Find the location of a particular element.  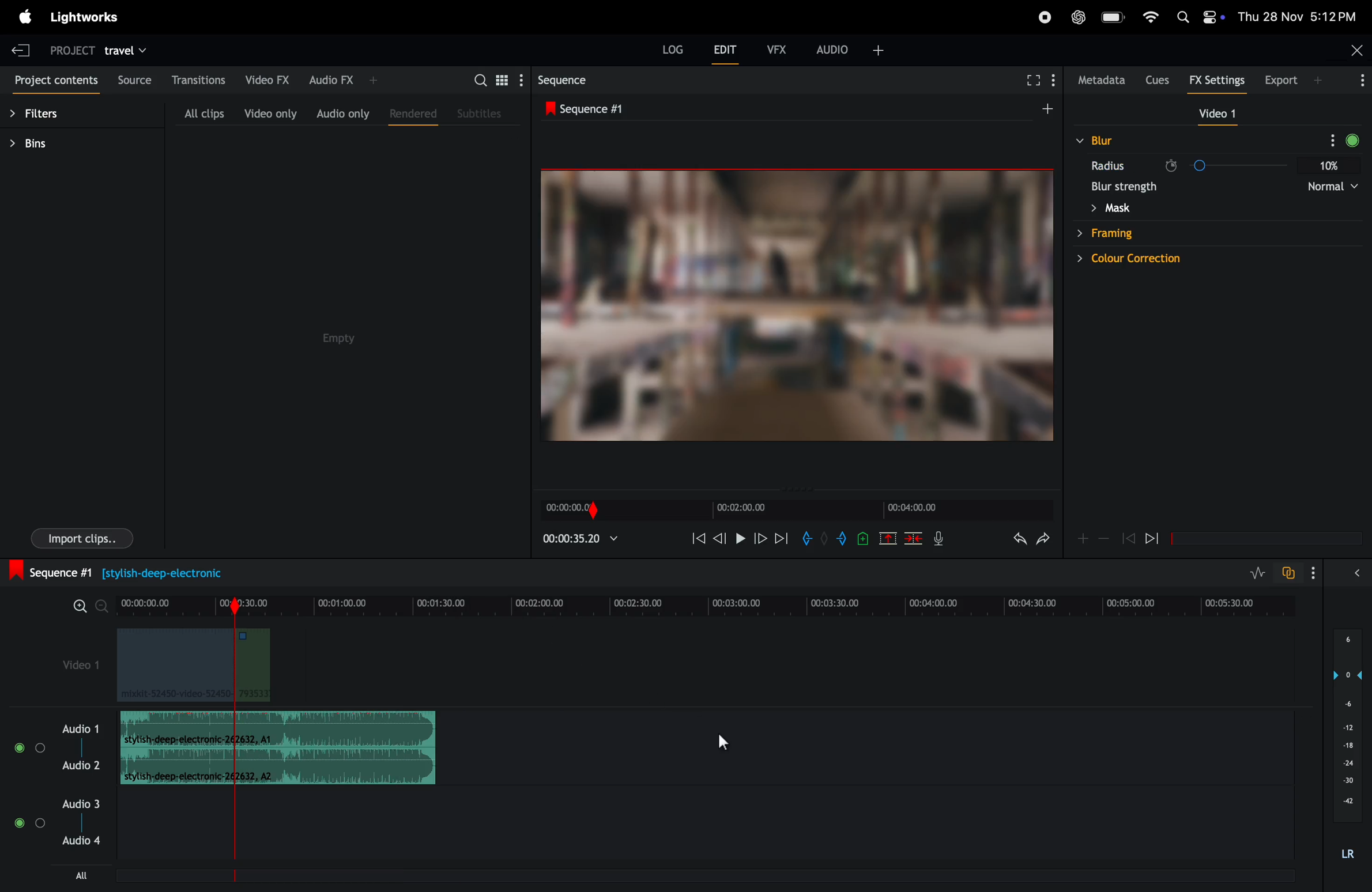

time frames is located at coordinates (793, 510).